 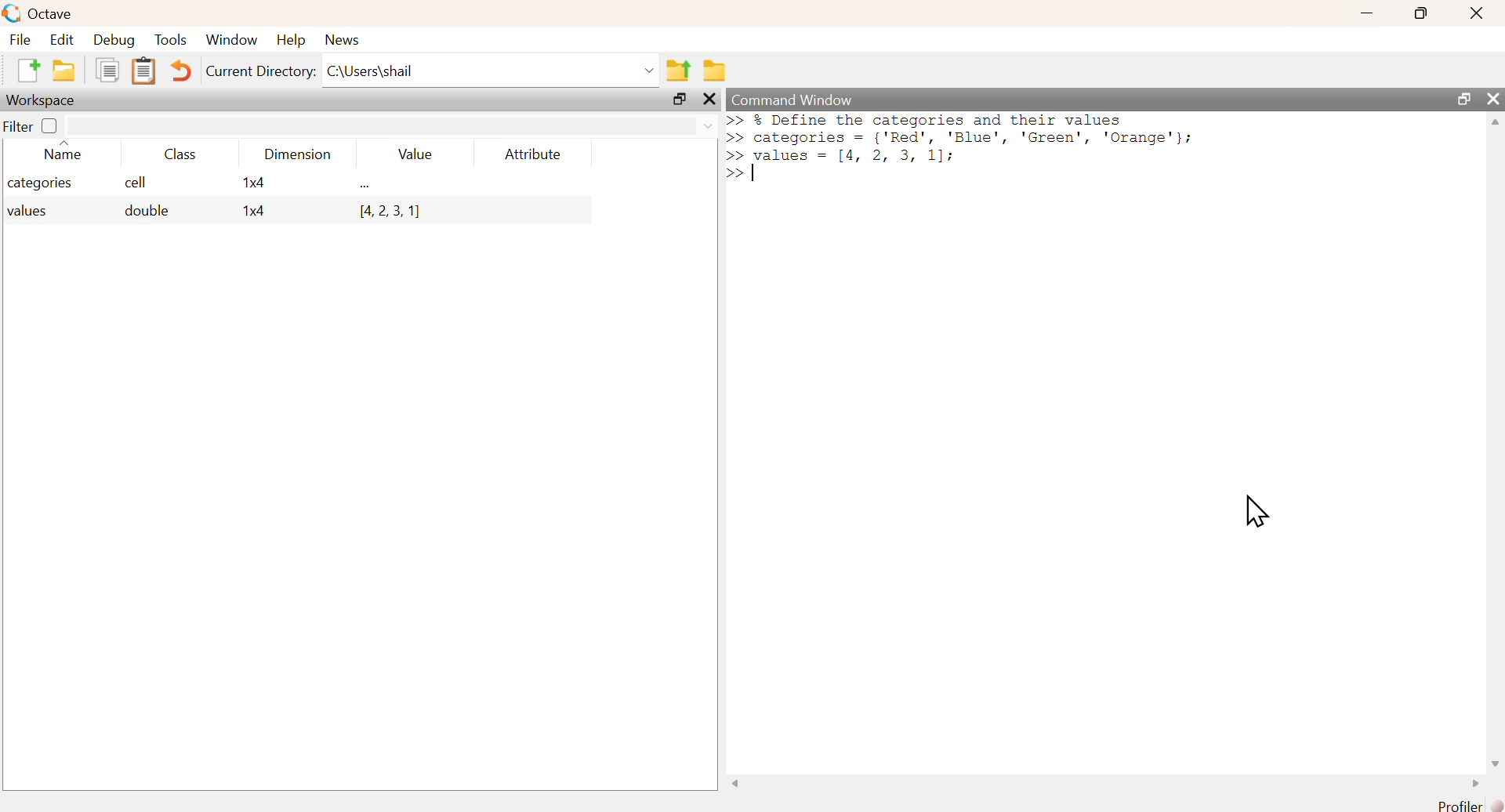 I want to click on scroll left, so click(x=738, y=782).